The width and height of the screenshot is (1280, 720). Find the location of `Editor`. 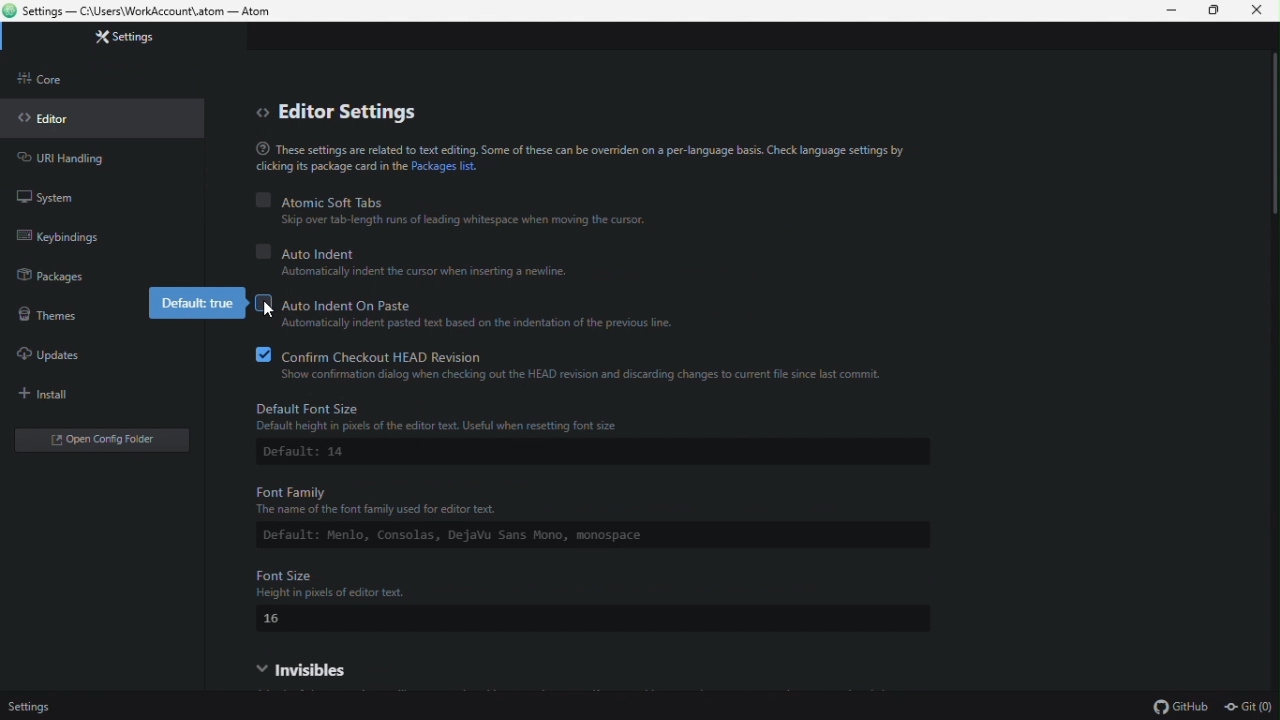

Editor is located at coordinates (63, 118).